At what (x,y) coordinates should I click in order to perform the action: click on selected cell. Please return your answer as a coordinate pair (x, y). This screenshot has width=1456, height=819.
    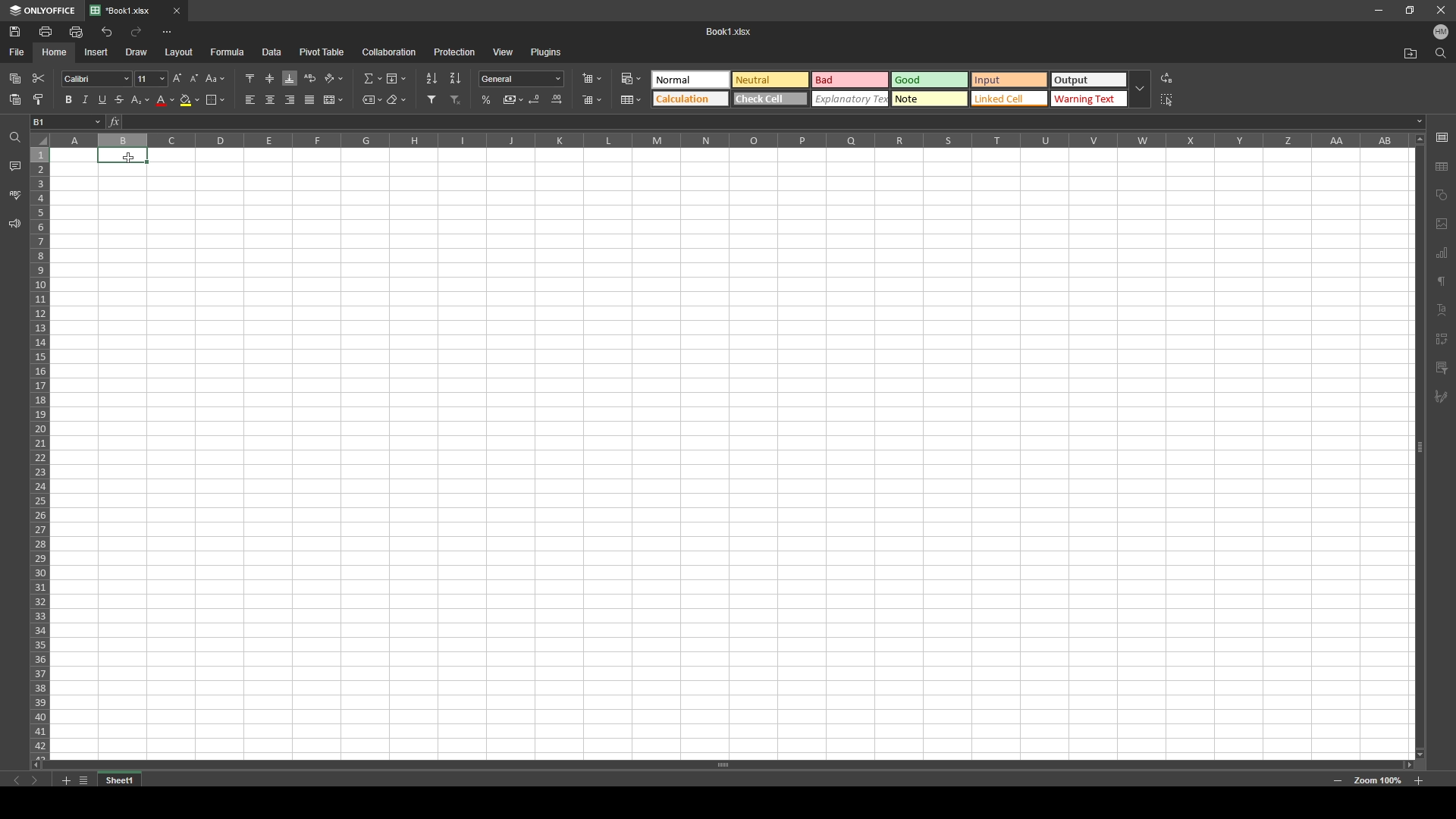
    Looking at the image, I should click on (67, 122).